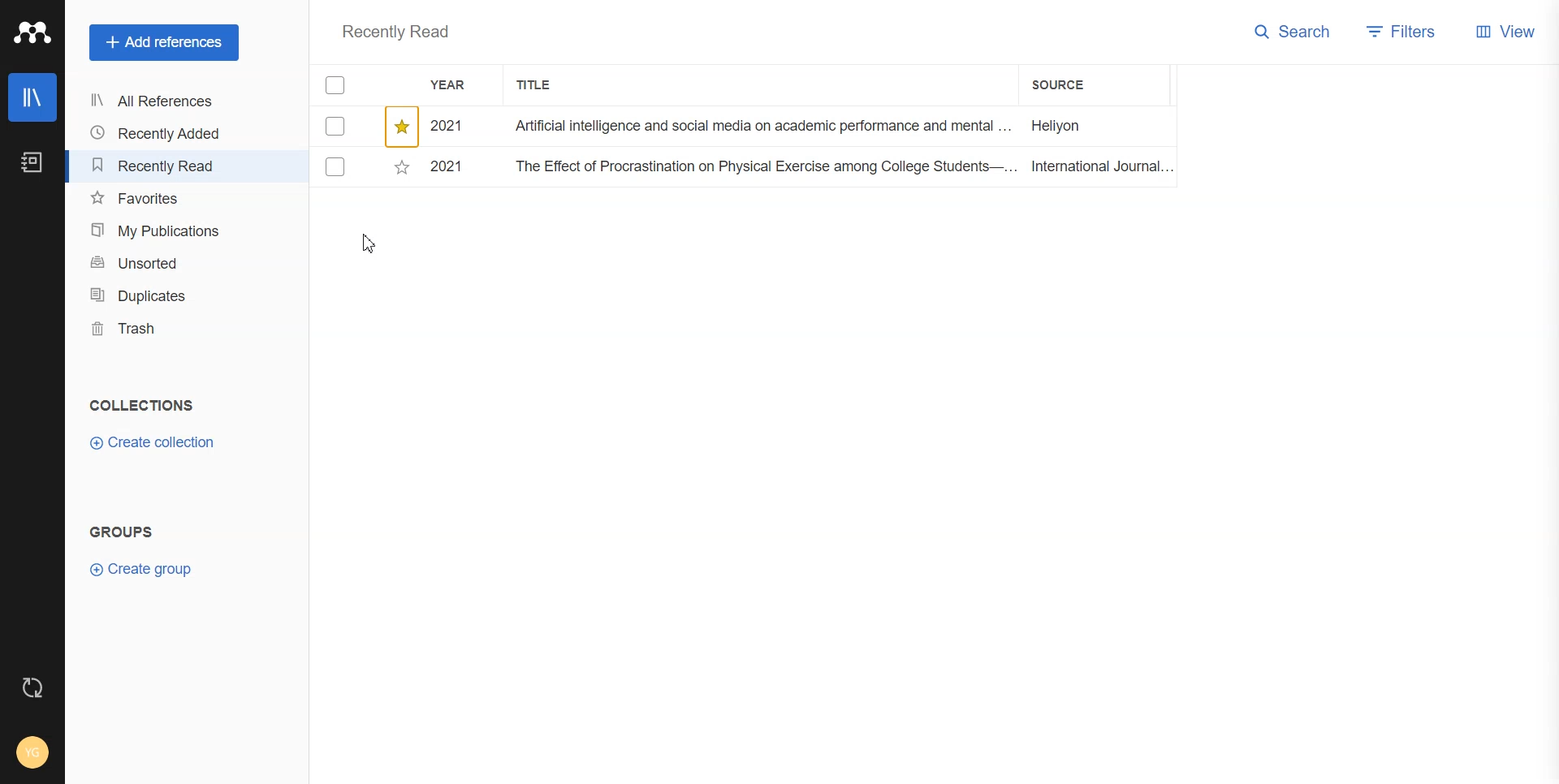 The image size is (1559, 784). I want to click on My publication, so click(162, 230).